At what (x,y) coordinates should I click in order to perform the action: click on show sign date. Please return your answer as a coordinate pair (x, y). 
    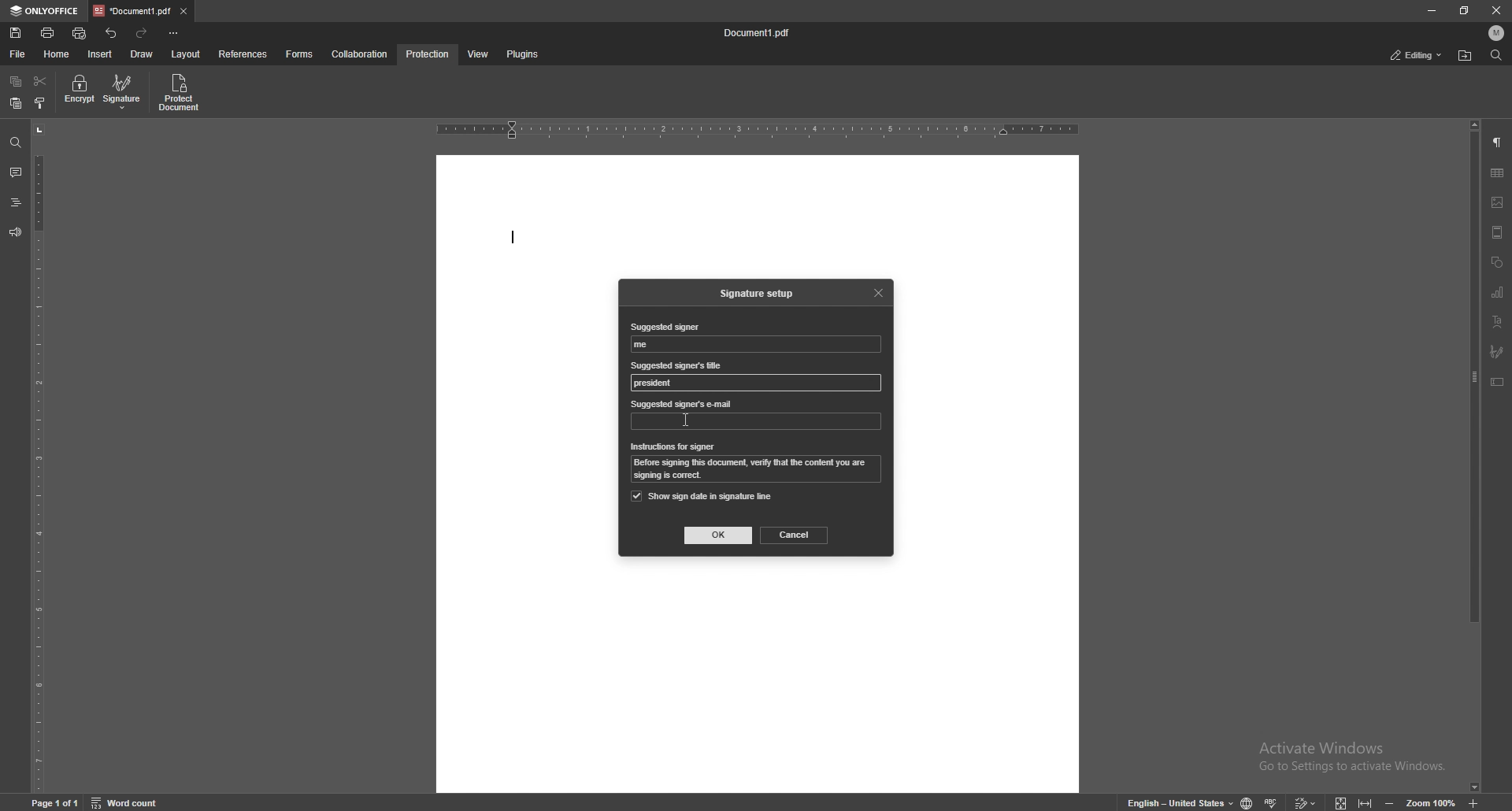
    Looking at the image, I should click on (702, 496).